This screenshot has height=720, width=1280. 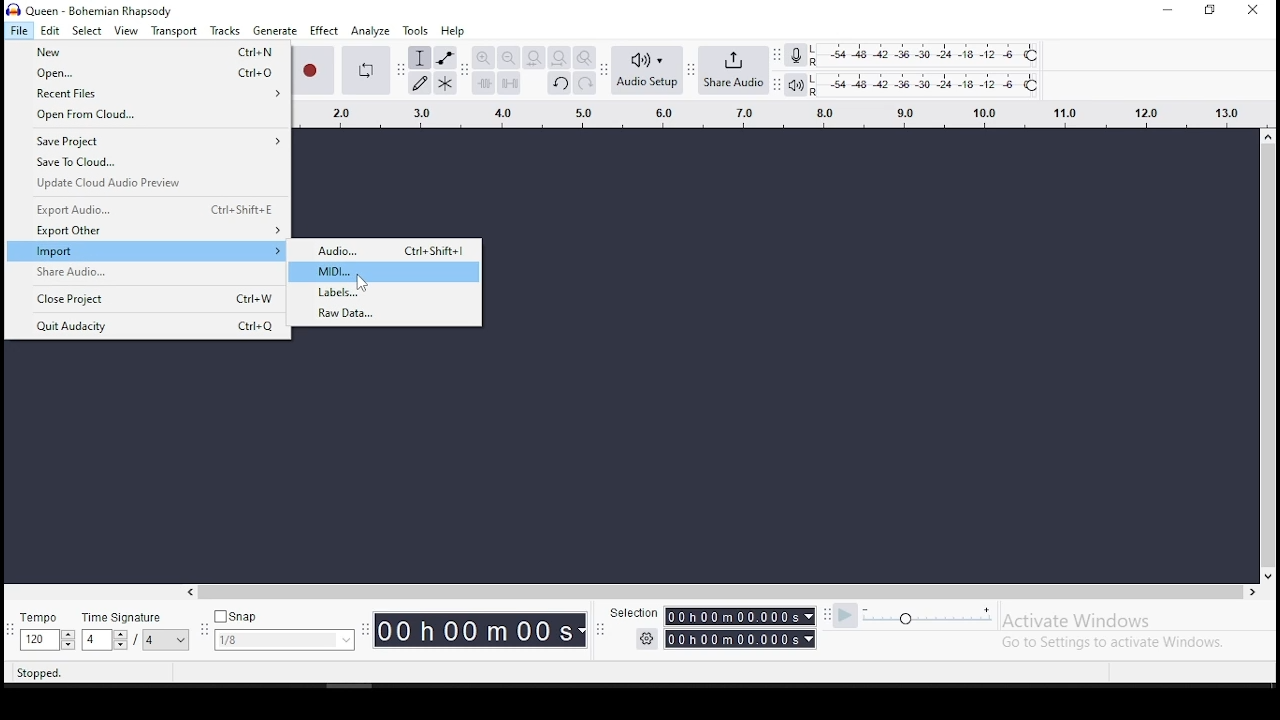 What do you see at coordinates (314, 70) in the screenshot?
I see `record` at bounding box center [314, 70].